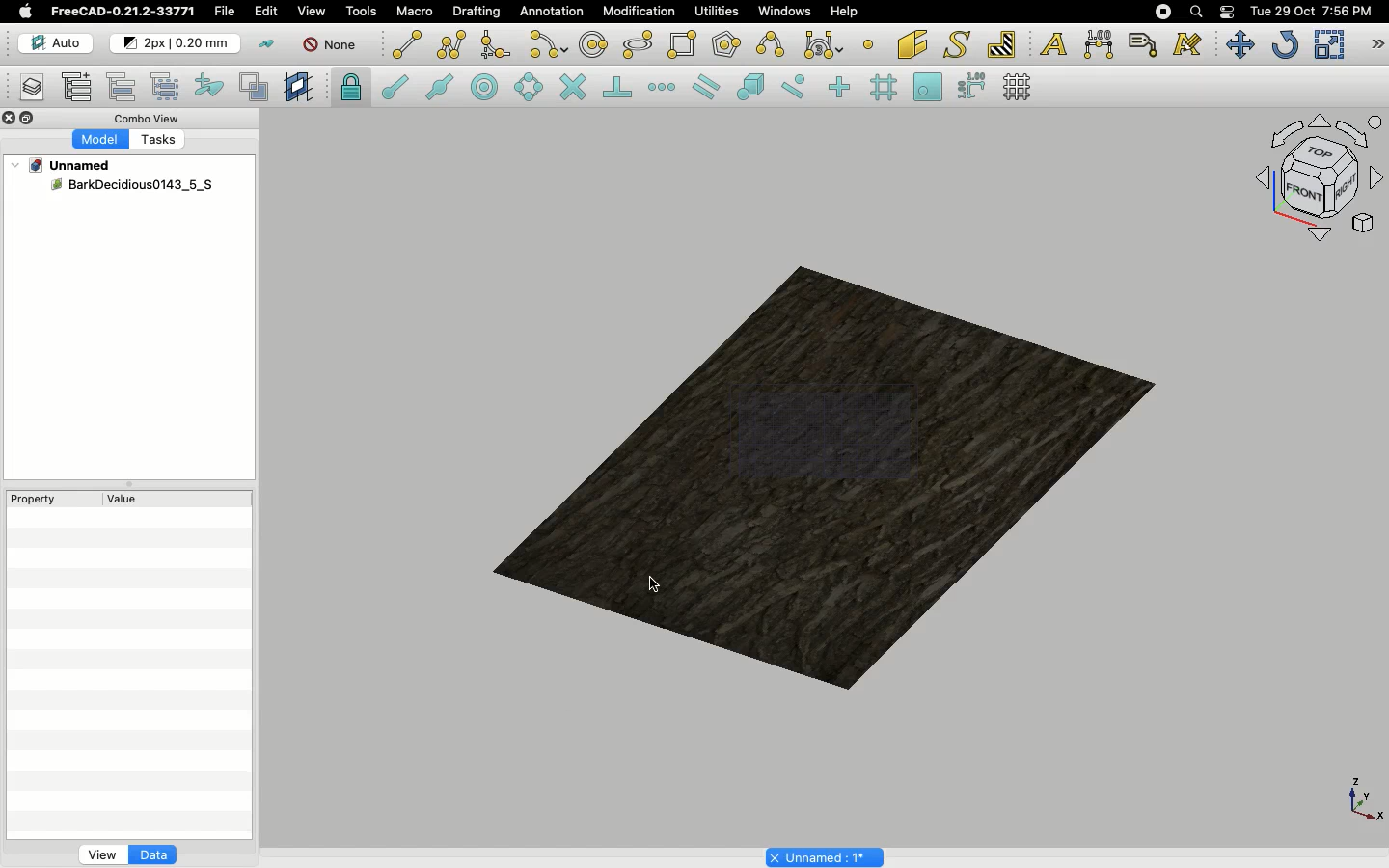 The height and width of the screenshot is (868, 1389). What do you see at coordinates (131, 185) in the screenshot?
I see `Object 1` at bounding box center [131, 185].